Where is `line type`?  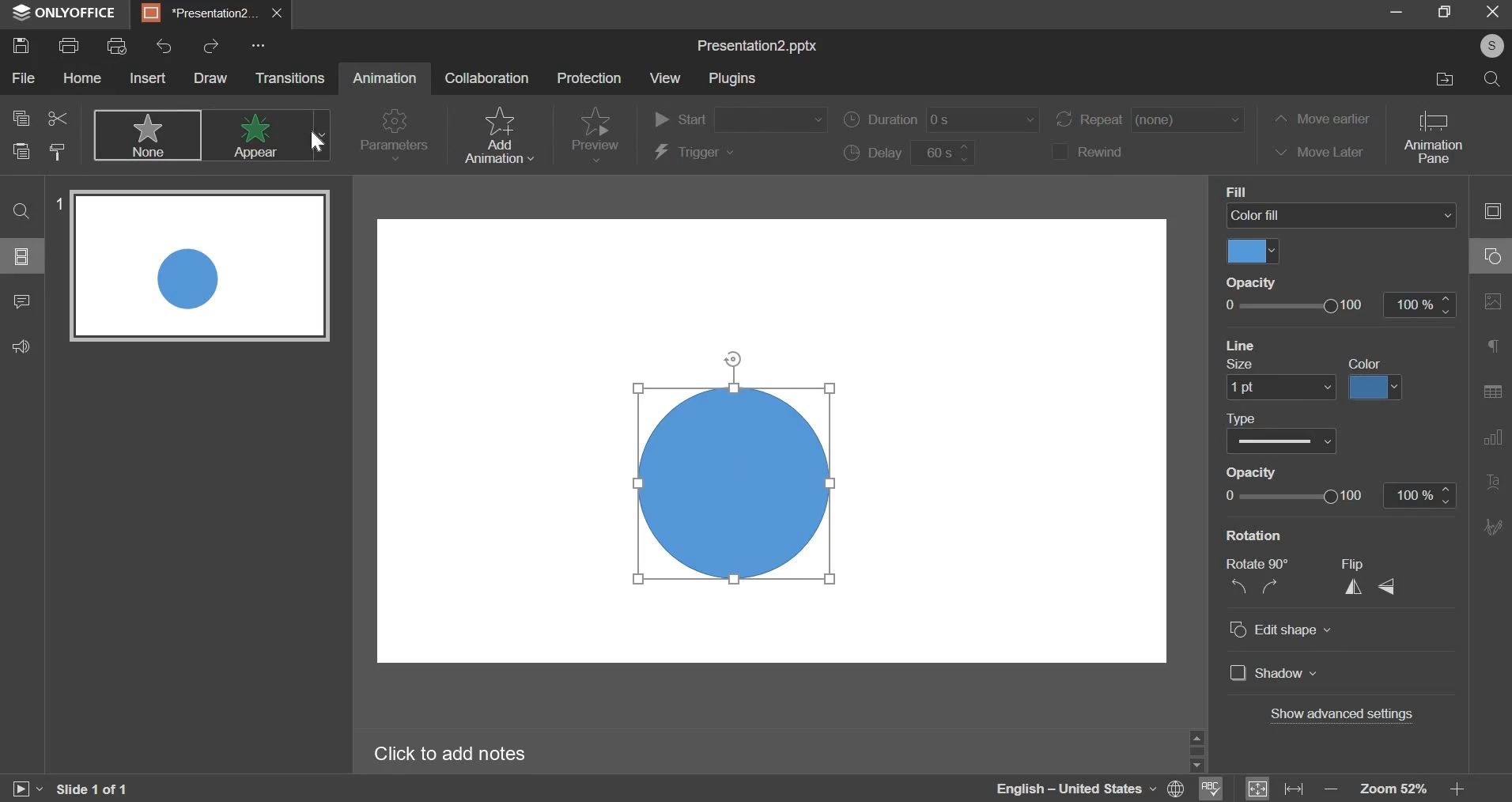 line type is located at coordinates (1283, 441).